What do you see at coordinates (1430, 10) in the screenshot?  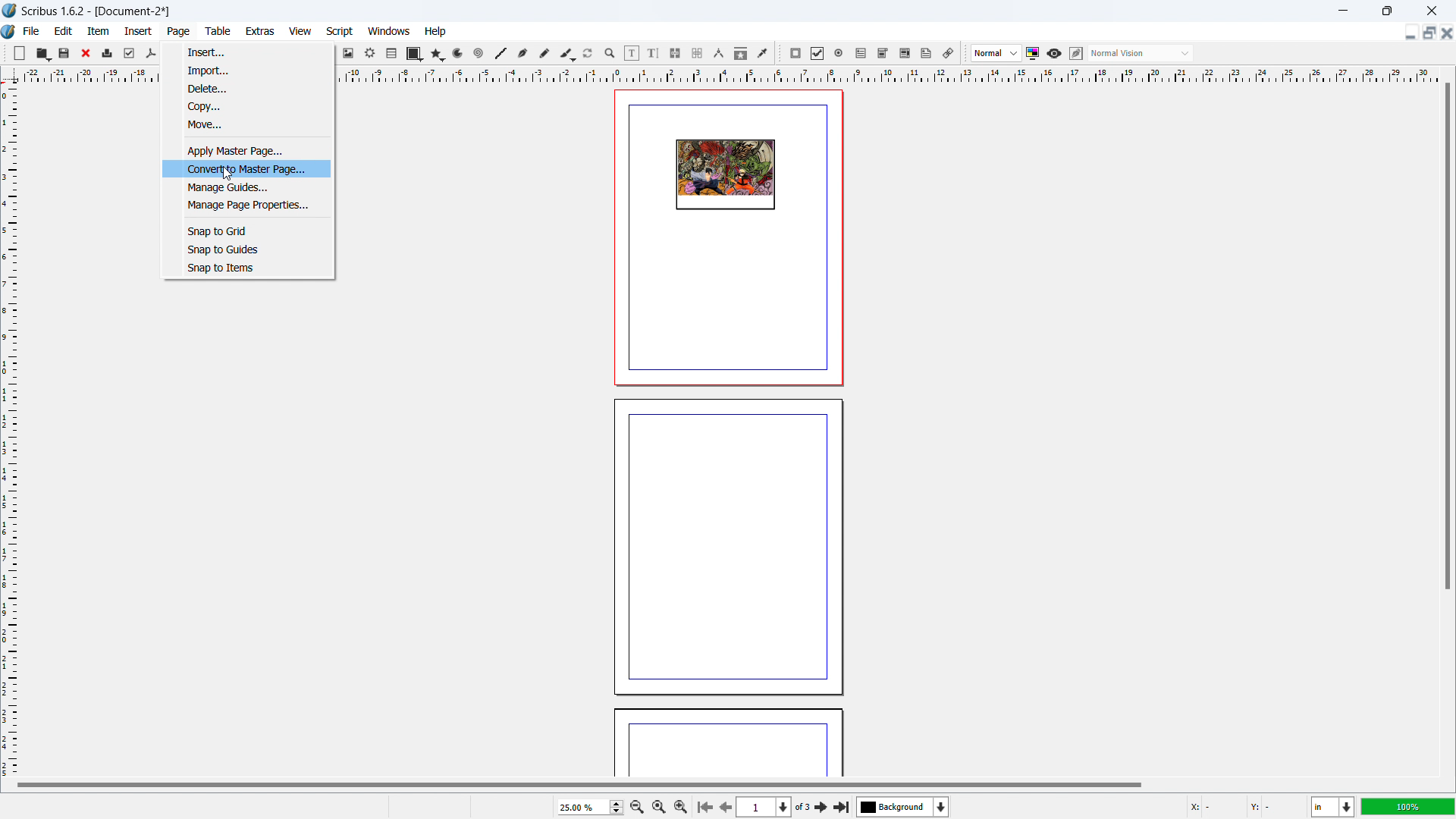 I see `close window` at bounding box center [1430, 10].